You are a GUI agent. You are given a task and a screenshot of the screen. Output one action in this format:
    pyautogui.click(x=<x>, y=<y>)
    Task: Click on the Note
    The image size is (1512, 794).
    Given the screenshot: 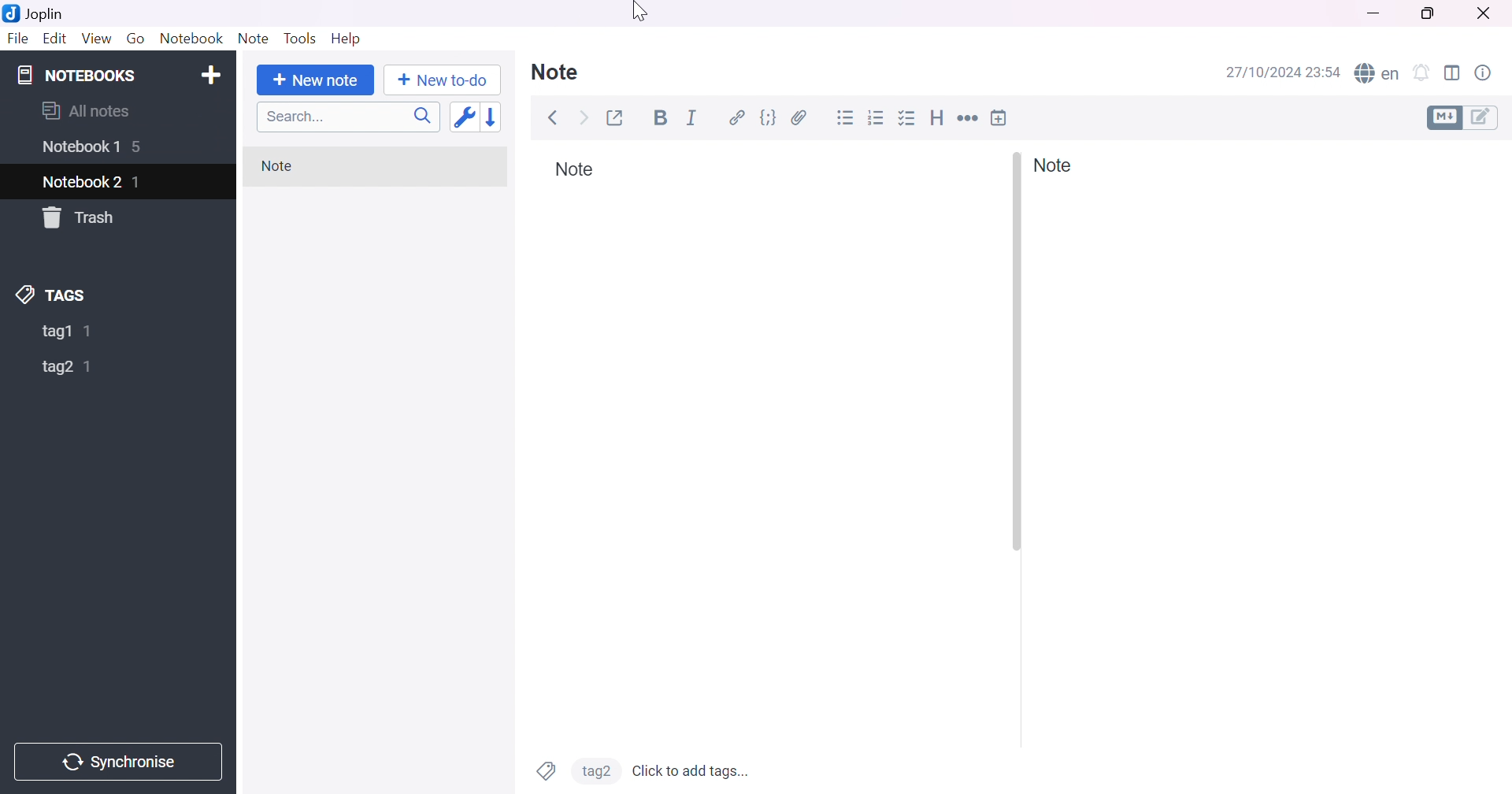 What is the action you would take?
    pyautogui.click(x=253, y=38)
    